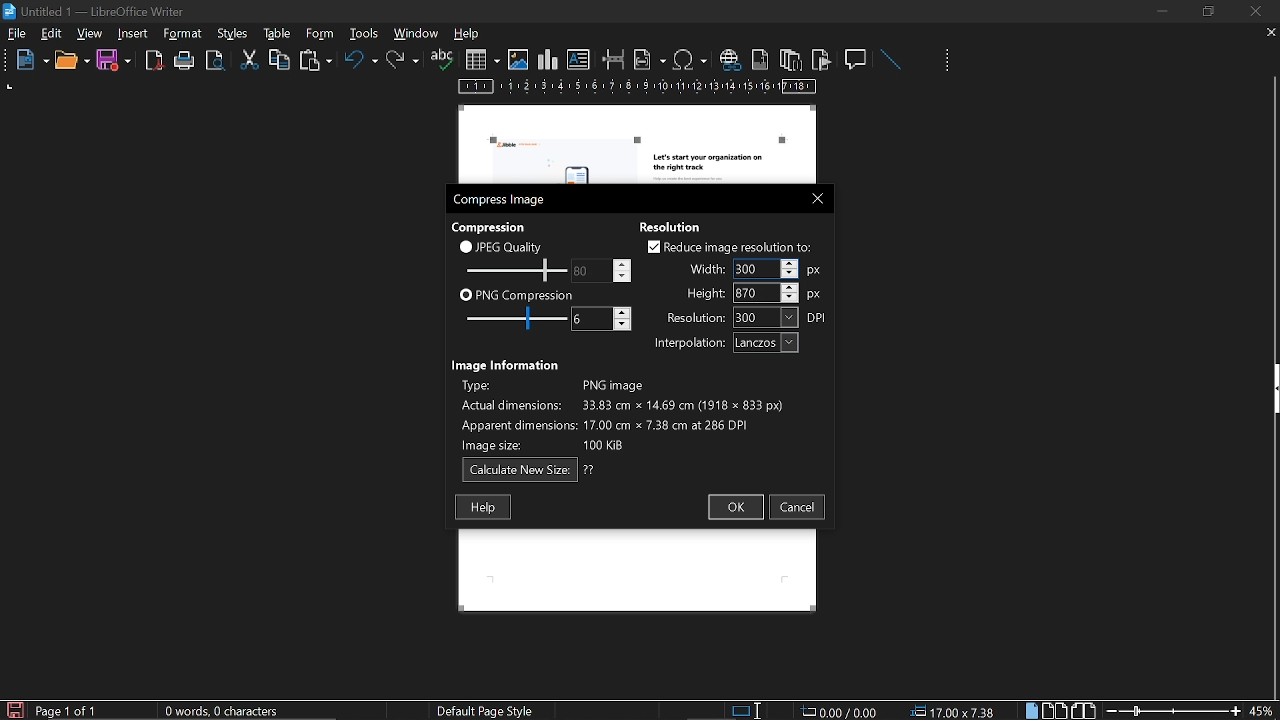  What do you see at coordinates (97, 10) in the screenshot?
I see `current window` at bounding box center [97, 10].